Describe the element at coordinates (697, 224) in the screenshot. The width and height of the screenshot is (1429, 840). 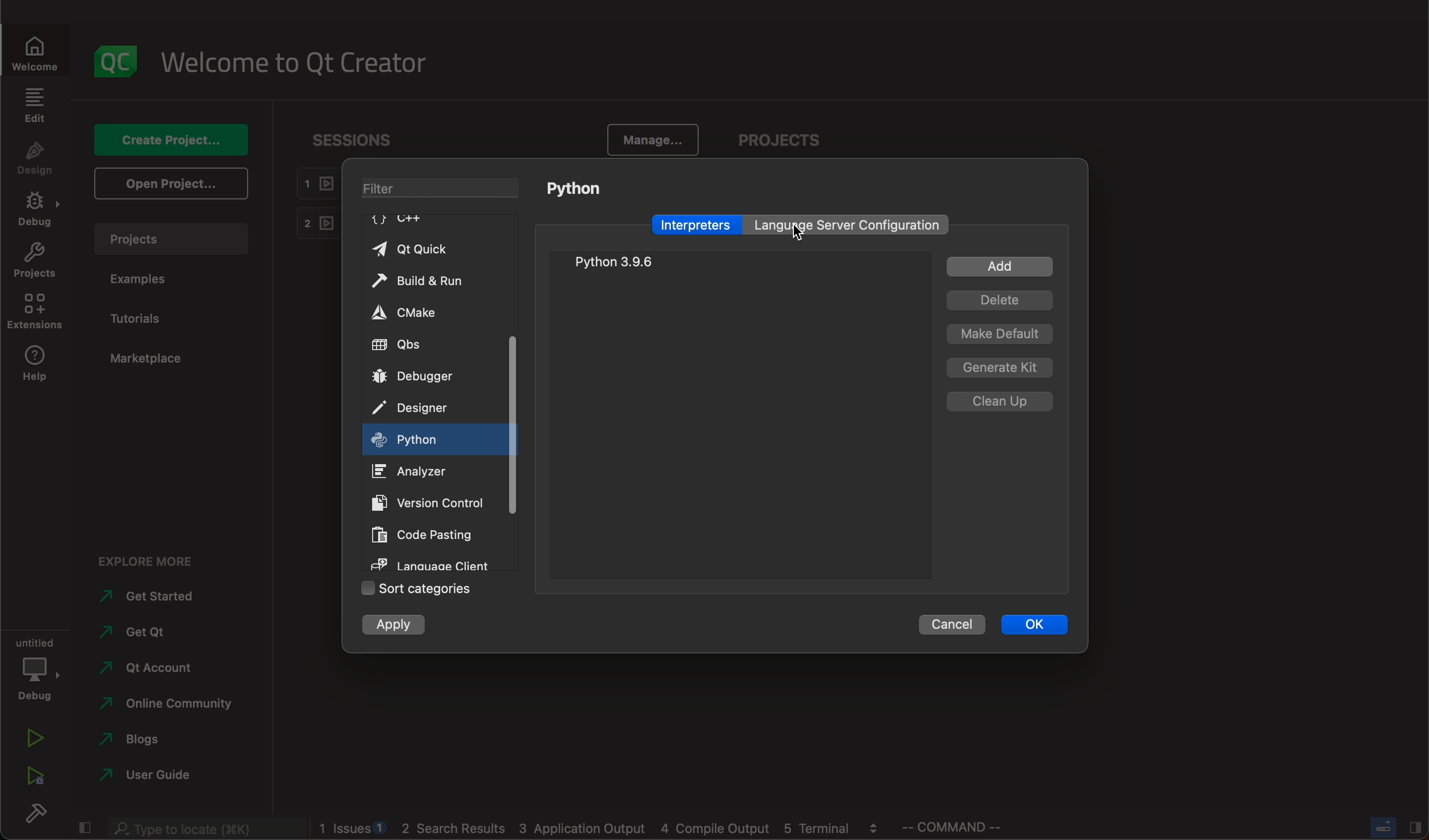
I see `interpreters` at that location.